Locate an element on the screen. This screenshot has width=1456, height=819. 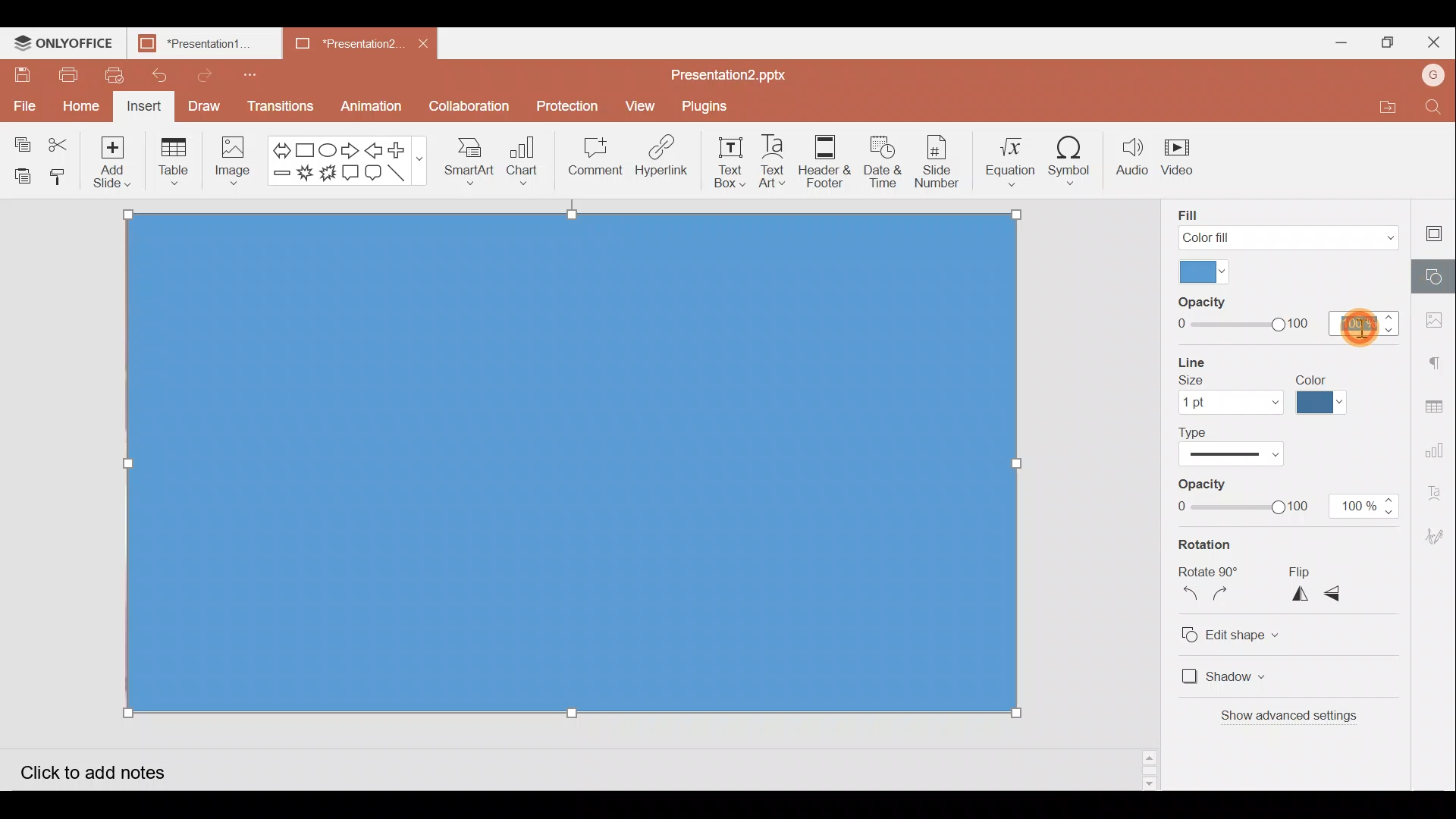
Edit shape is located at coordinates (1245, 632).